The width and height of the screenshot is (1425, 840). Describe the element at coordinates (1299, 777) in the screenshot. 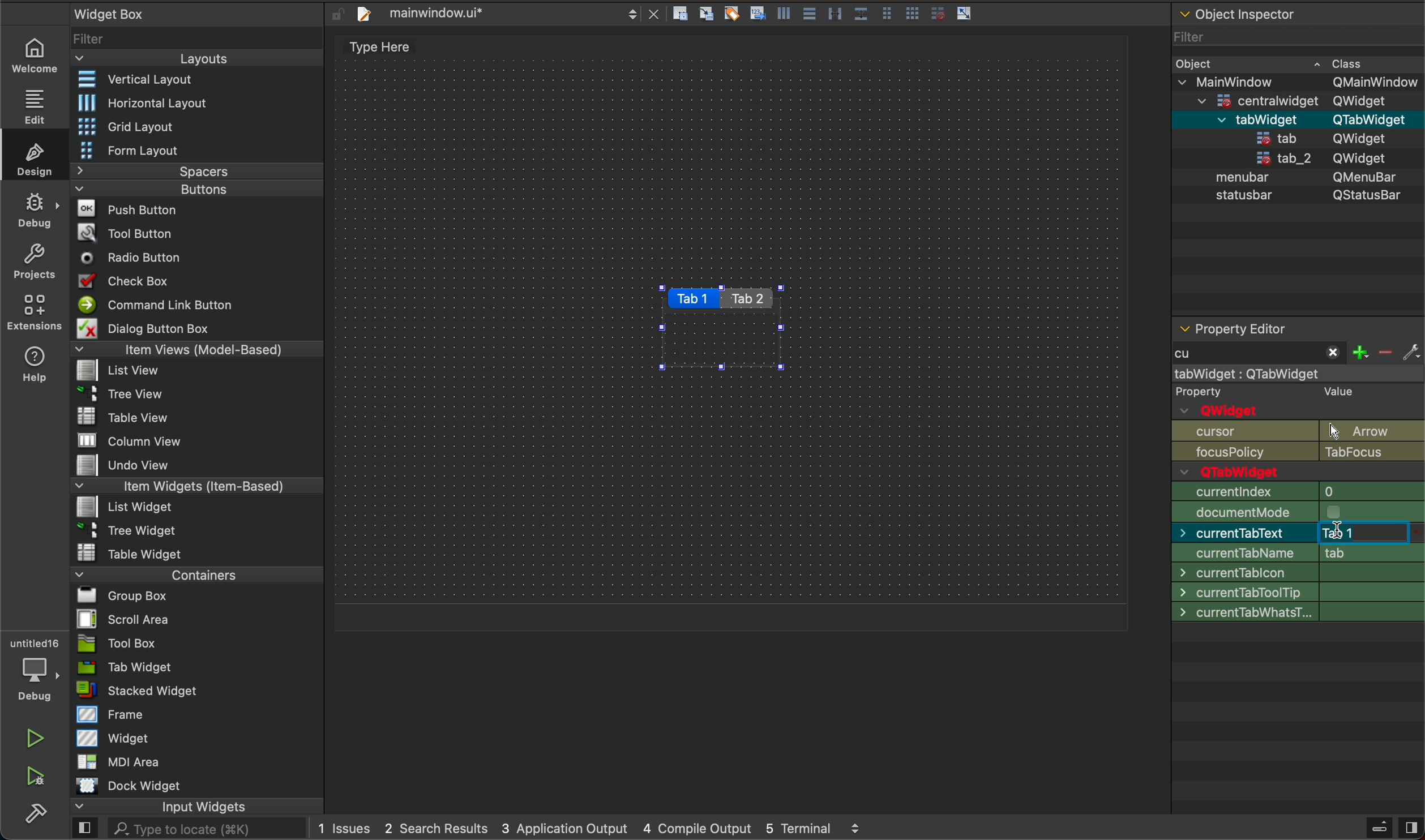

I see `window title` at that location.